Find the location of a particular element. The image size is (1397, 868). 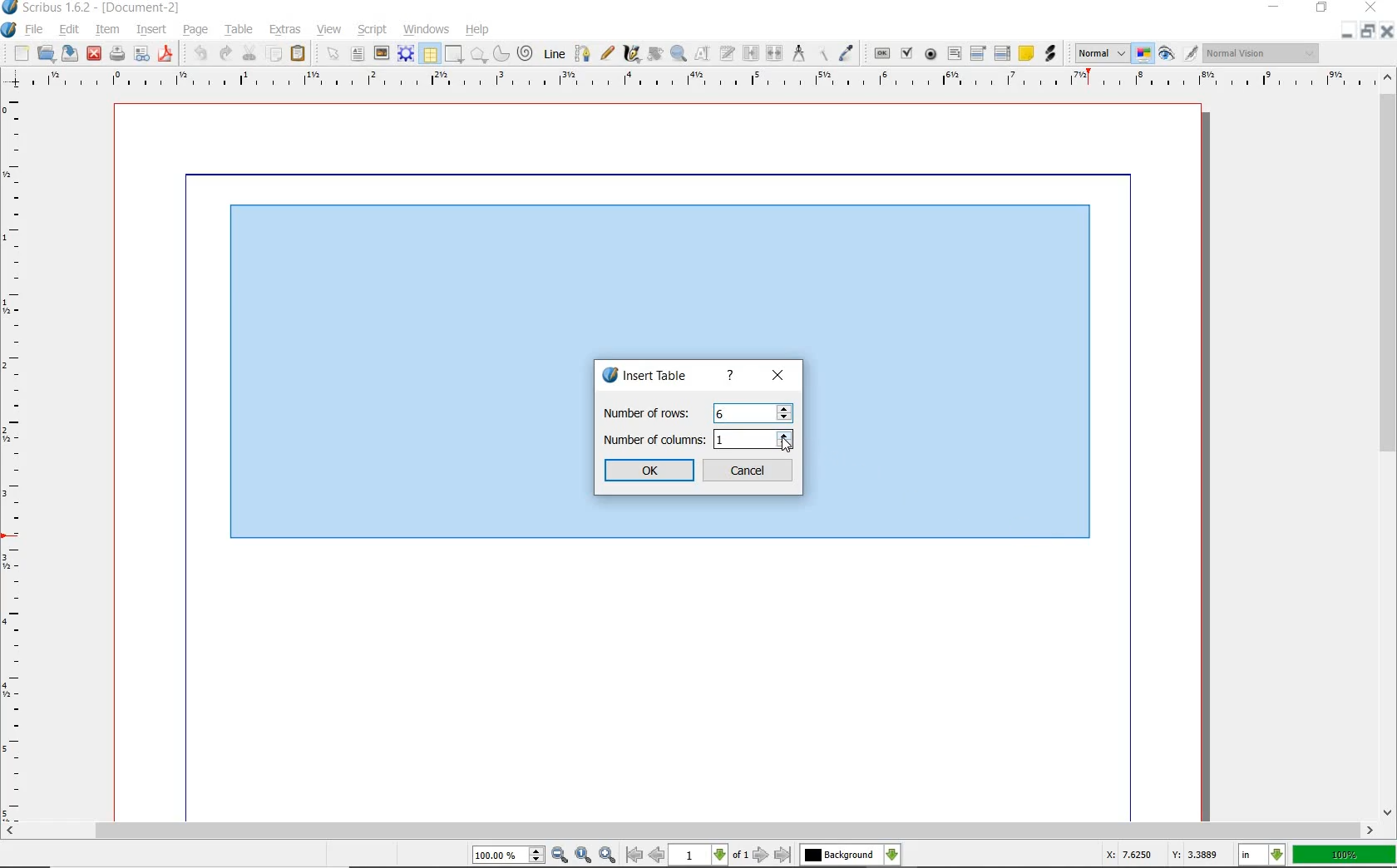

shape is located at coordinates (454, 55).